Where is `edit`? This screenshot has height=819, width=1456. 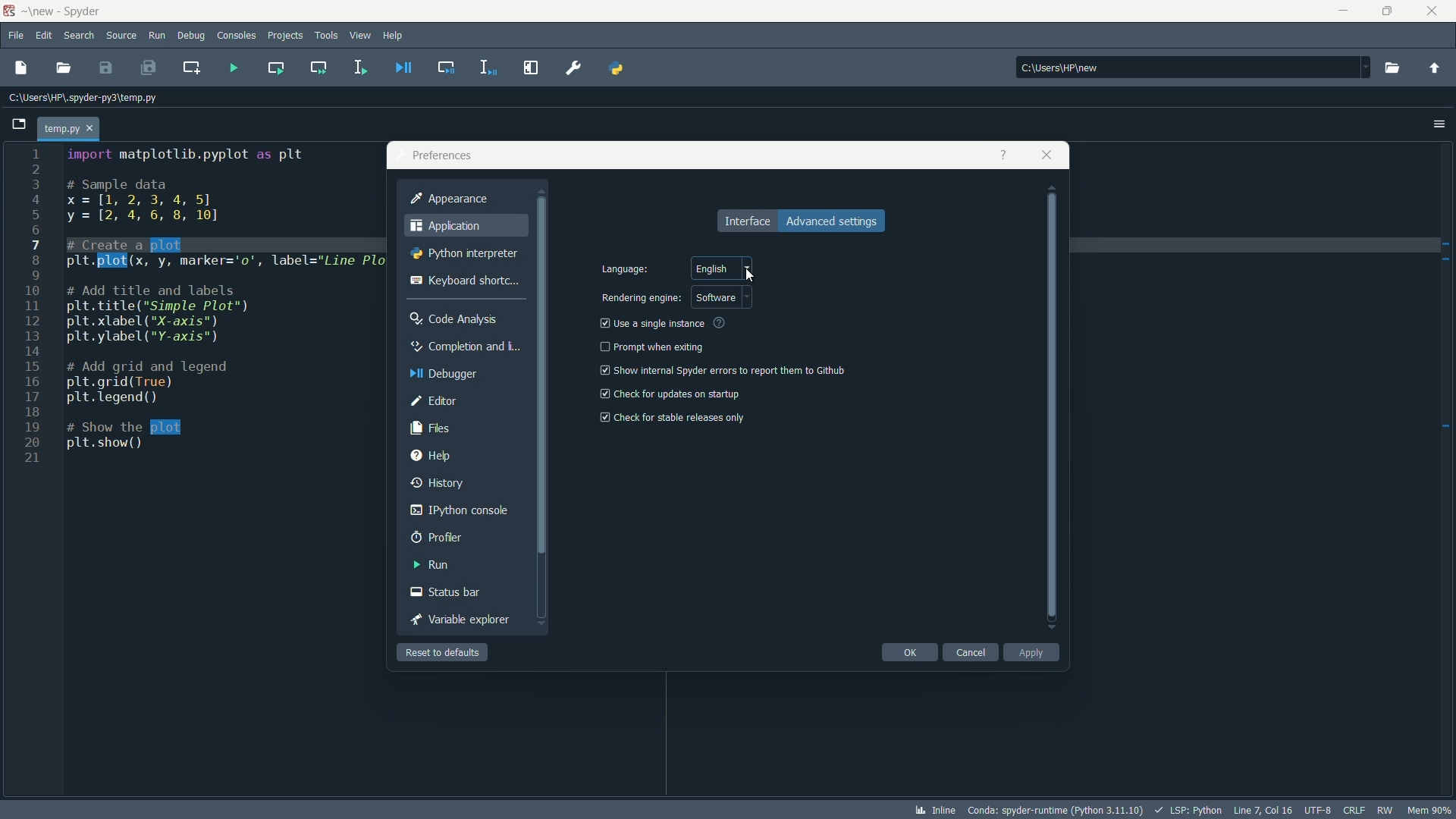
edit is located at coordinates (44, 35).